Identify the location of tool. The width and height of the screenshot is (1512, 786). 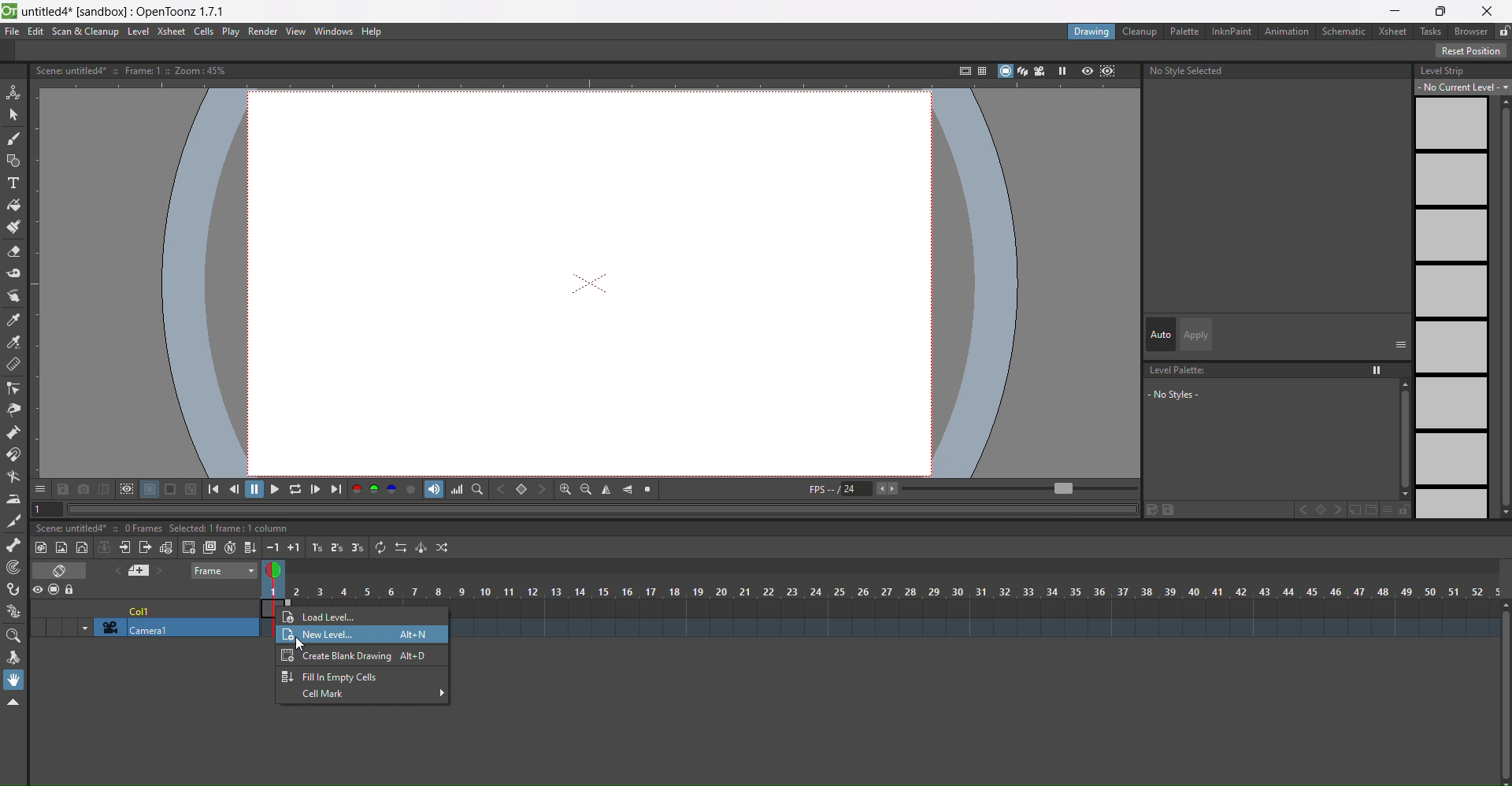
(83, 488).